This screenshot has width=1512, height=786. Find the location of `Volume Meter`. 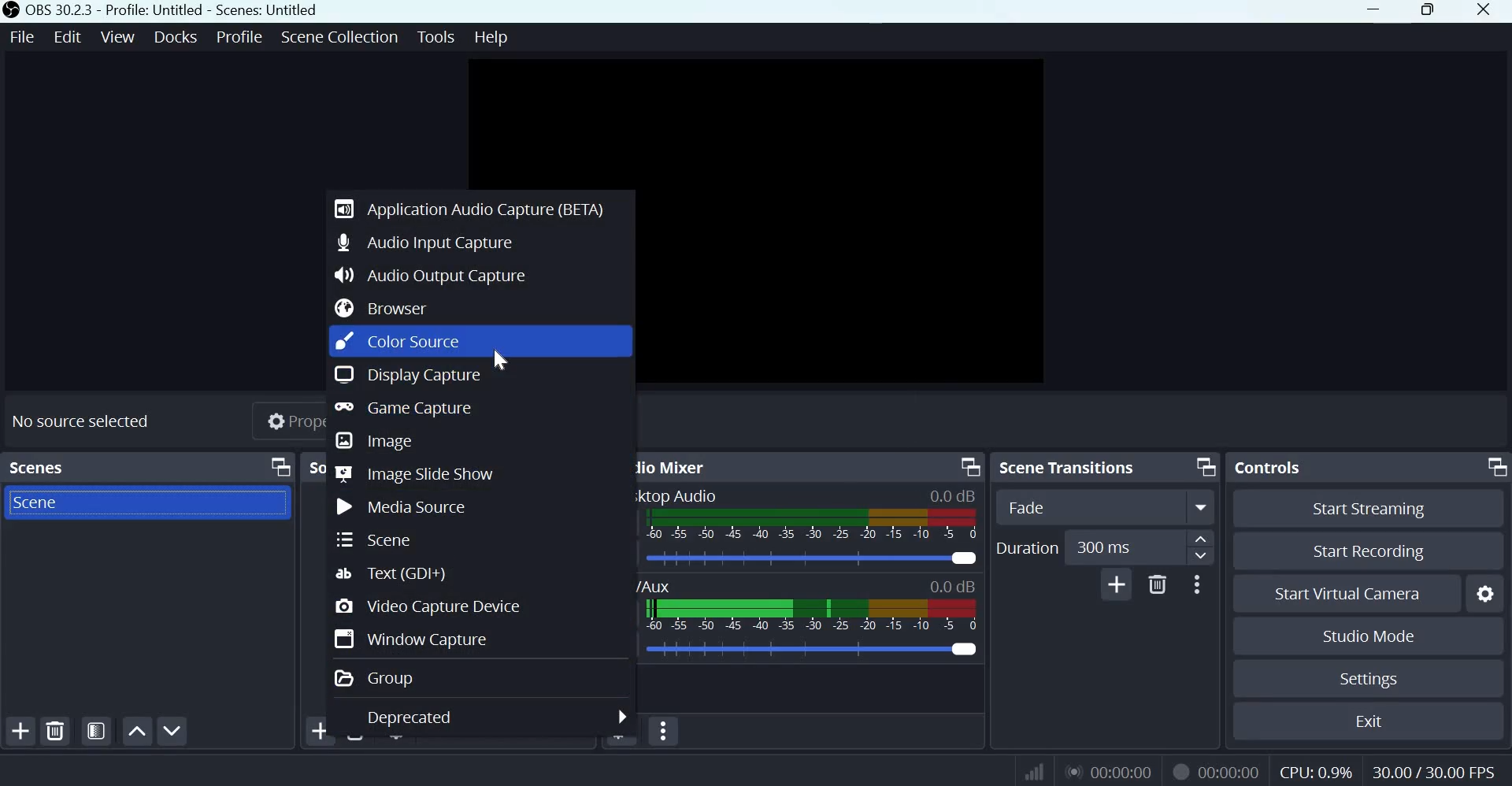

Volume Meter is located at coordinates (814, 525).